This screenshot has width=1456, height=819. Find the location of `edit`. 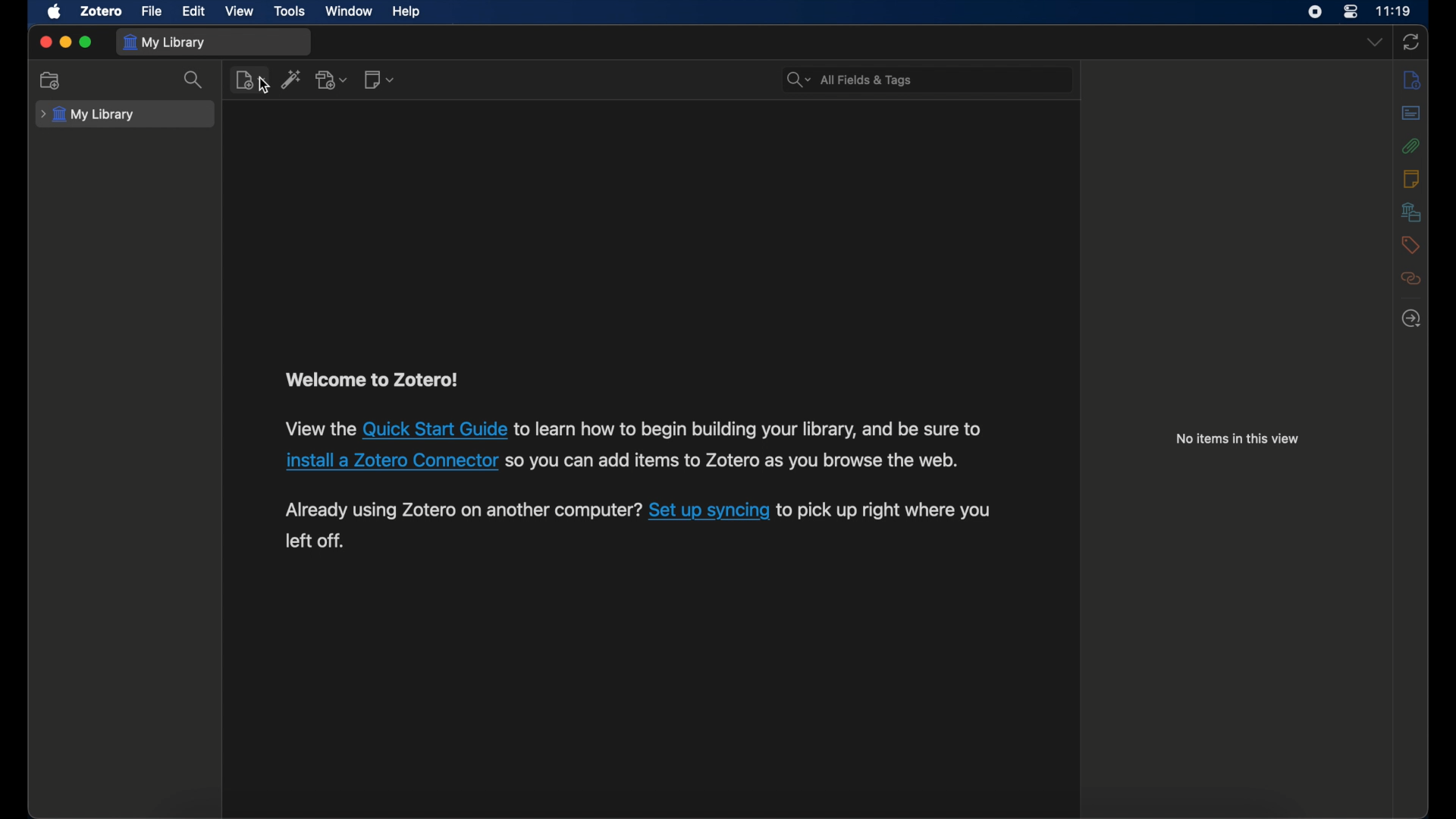

edit is located at coordinates (193, 12).